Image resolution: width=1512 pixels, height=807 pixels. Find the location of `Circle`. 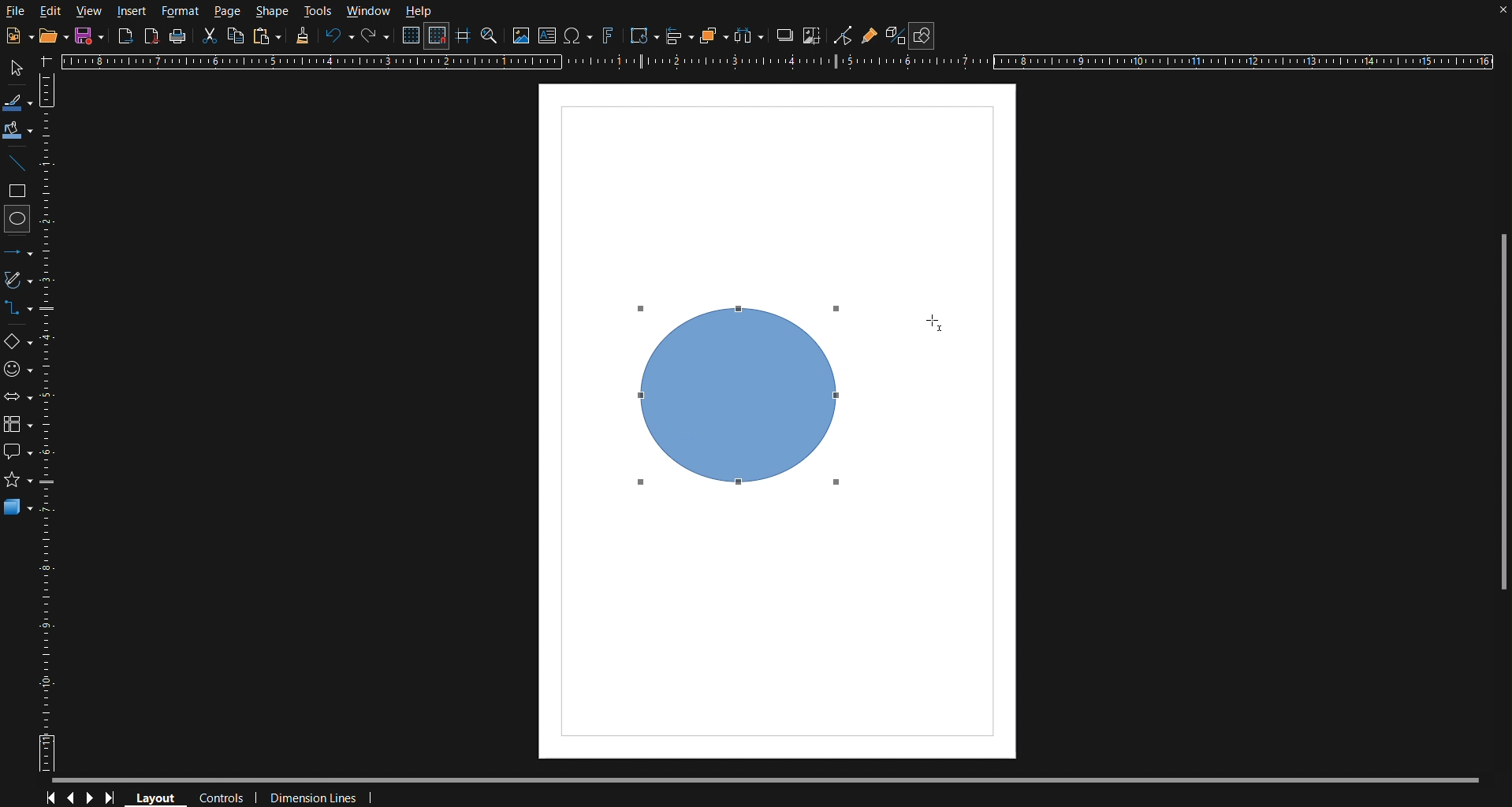

Circle is located at coordinates (19, 222).